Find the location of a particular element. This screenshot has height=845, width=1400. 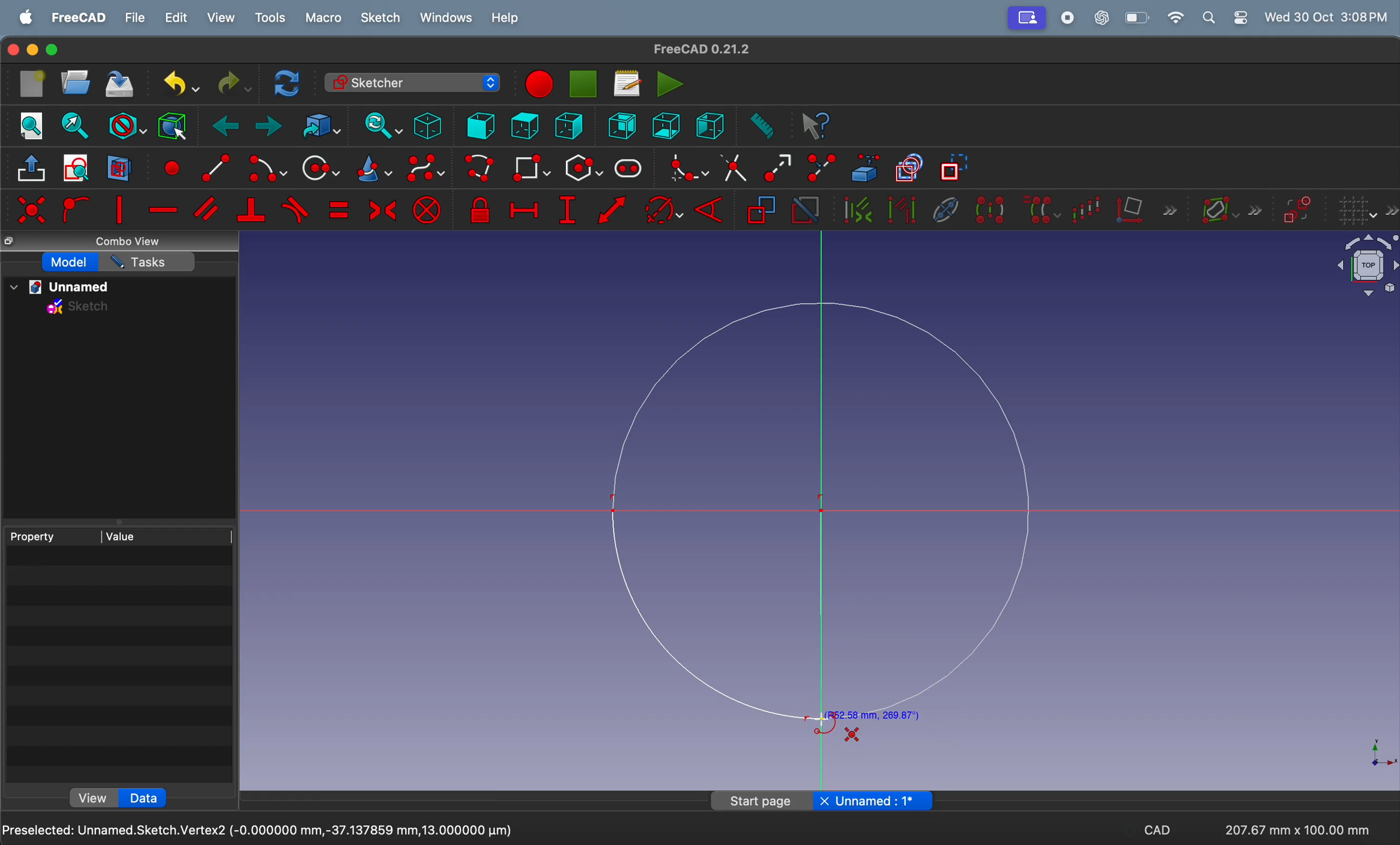

new document is located at coordinates (34, 84).